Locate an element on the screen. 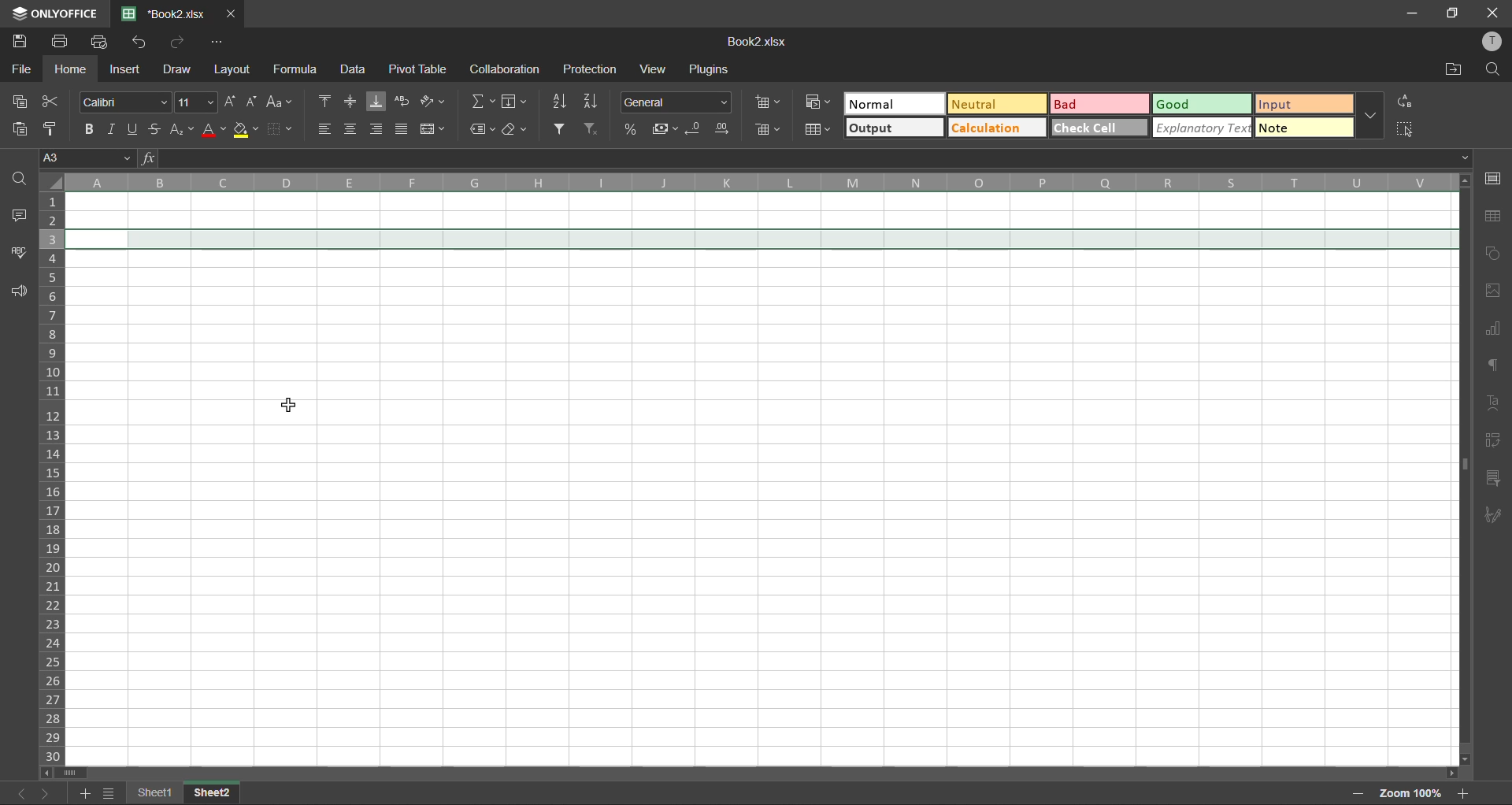  images is located at coordinates (1496, 291).